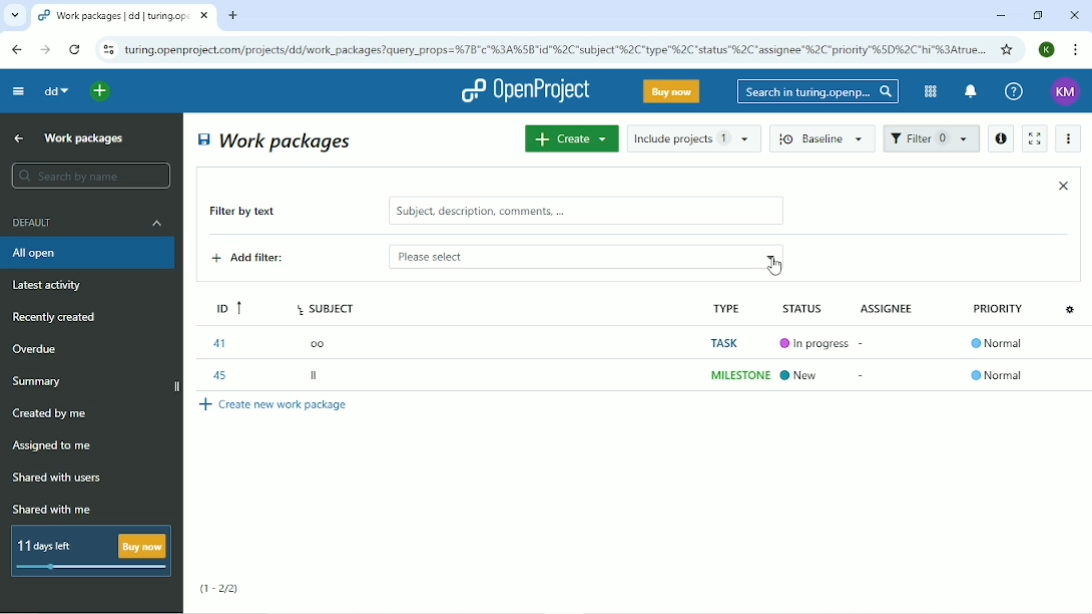  I want to click on Minimize, so click(1000, 16).